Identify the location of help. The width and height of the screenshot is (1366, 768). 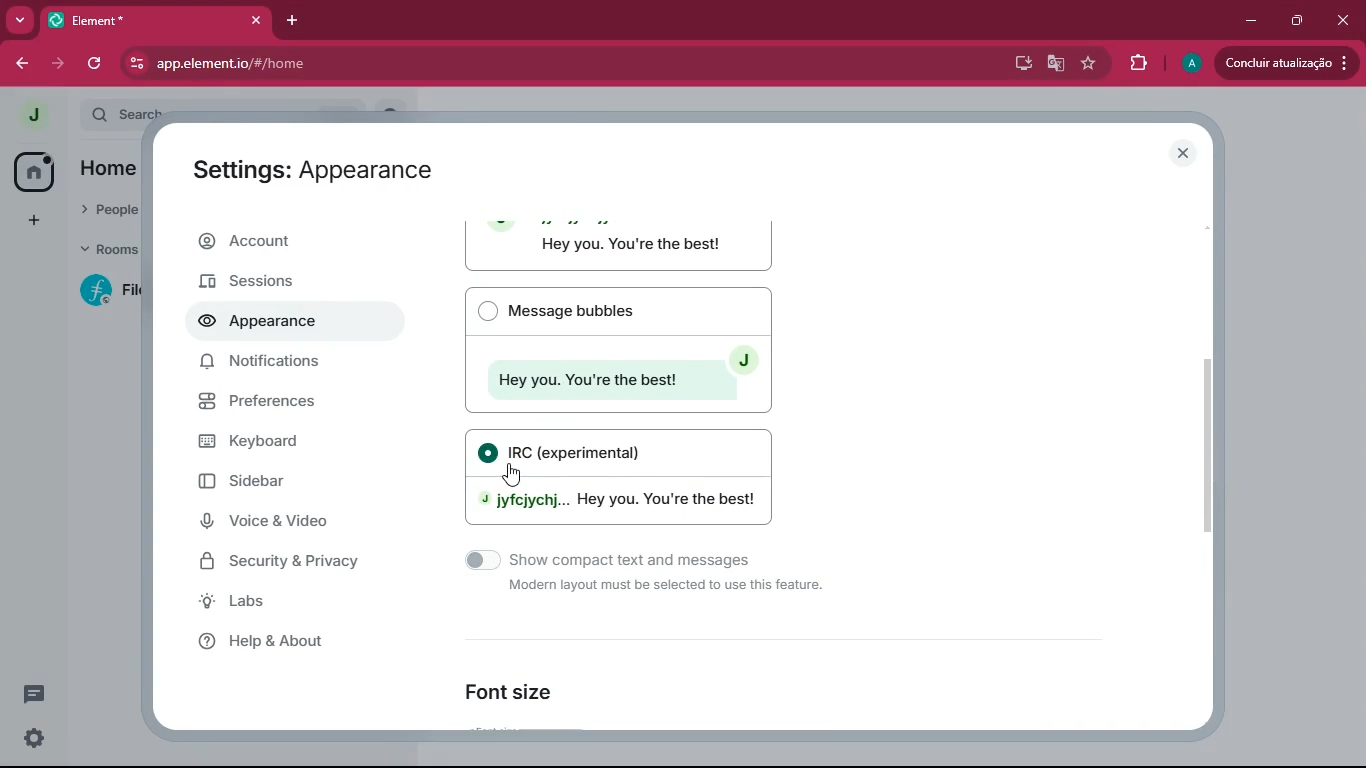
(301, 640).